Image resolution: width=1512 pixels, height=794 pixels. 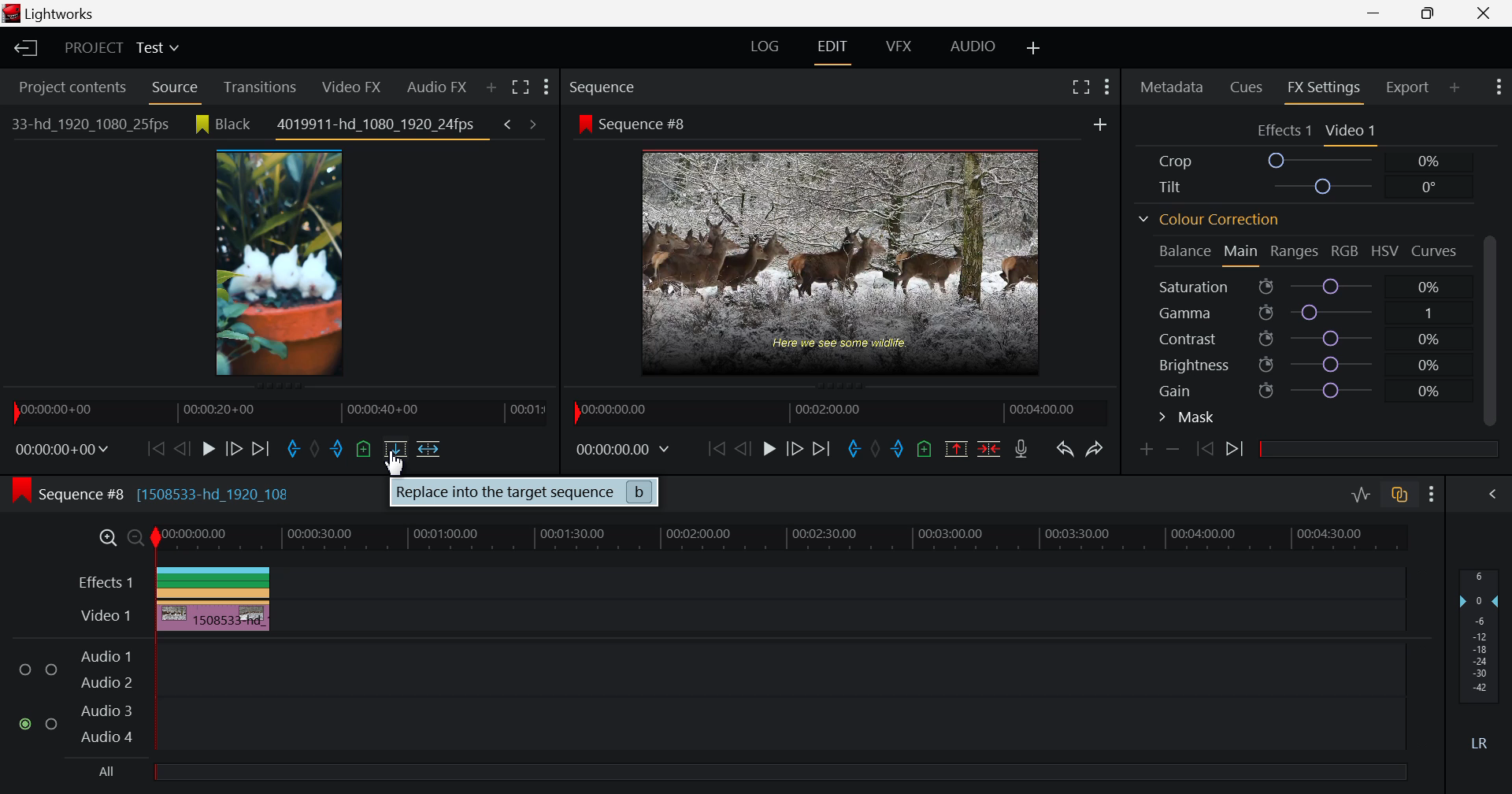 What do you see at coordinates (988, 451) in the screenshot?
I see `Delete/Cut` at bounding box center [988, 451].